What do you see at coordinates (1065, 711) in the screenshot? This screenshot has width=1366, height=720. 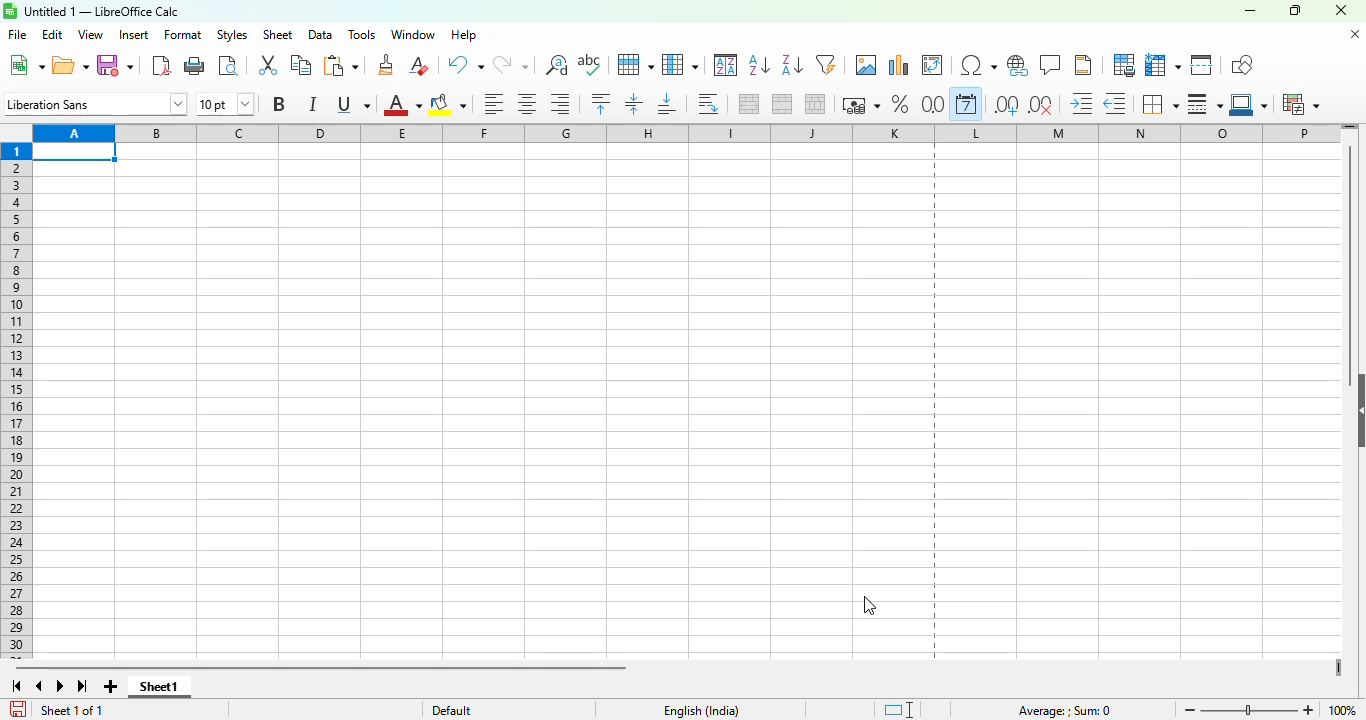 I see `formula` at bounding box center [1065, 711].